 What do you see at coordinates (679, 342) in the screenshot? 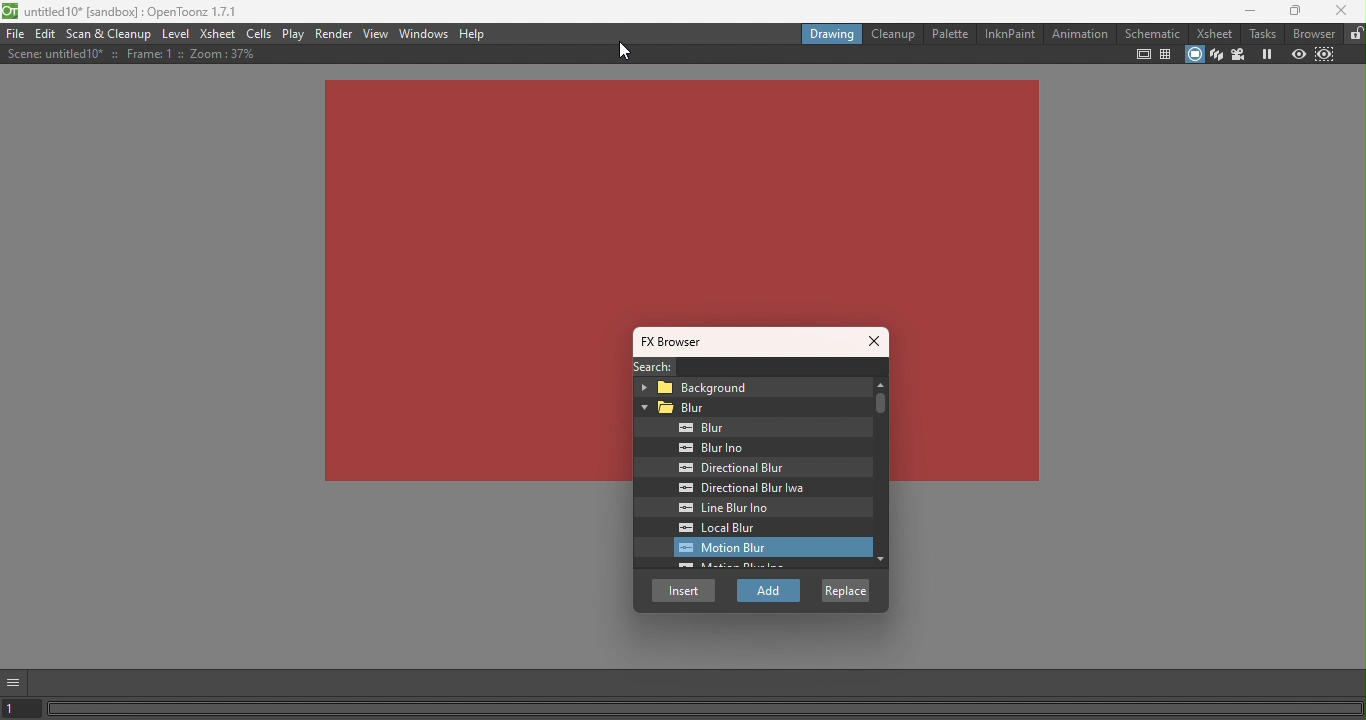
I see `FX browser` at bounding box center [679, 342].